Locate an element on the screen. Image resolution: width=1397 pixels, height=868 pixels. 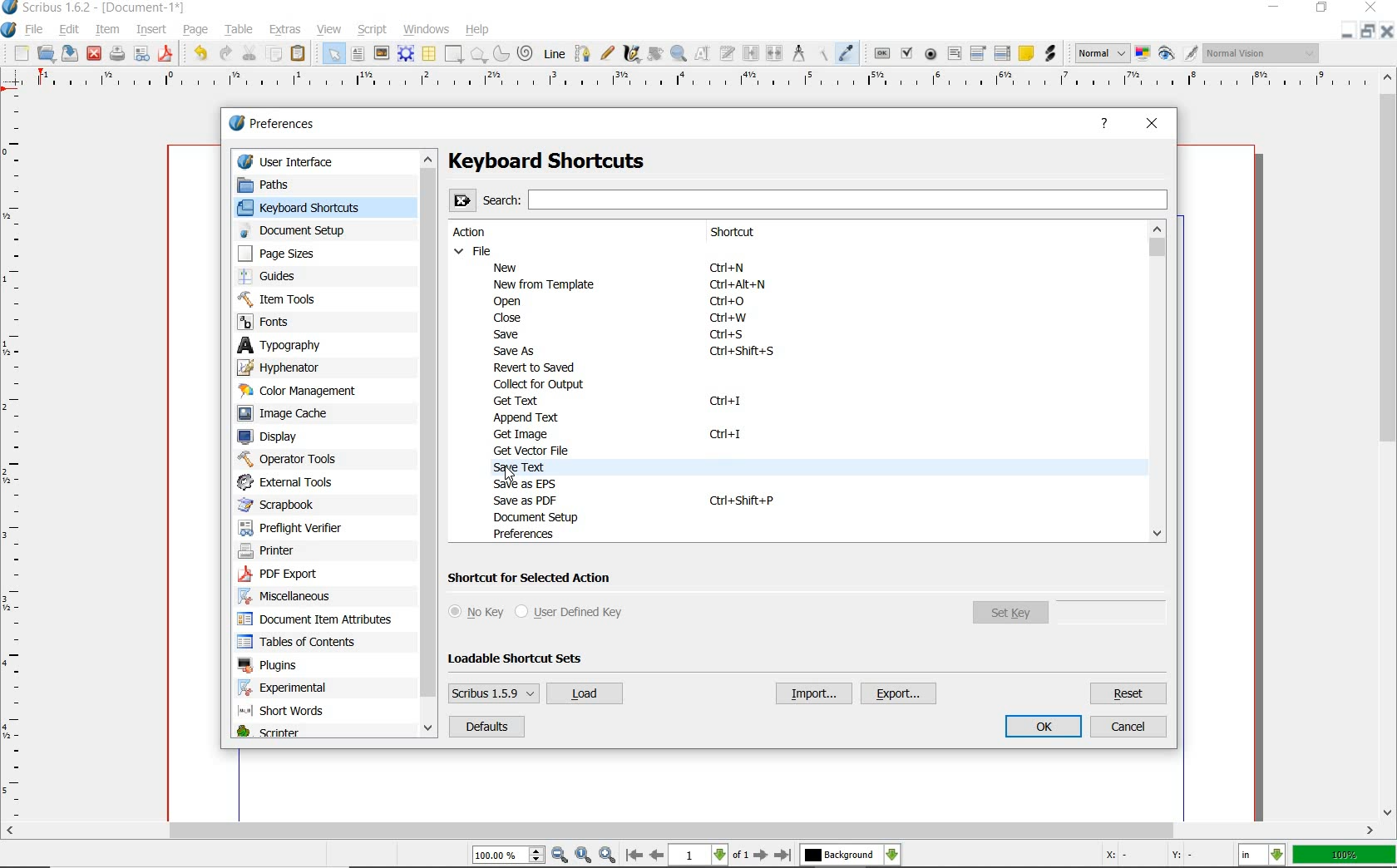
GET VECTOR FILE is located at coordinates (535, 450).